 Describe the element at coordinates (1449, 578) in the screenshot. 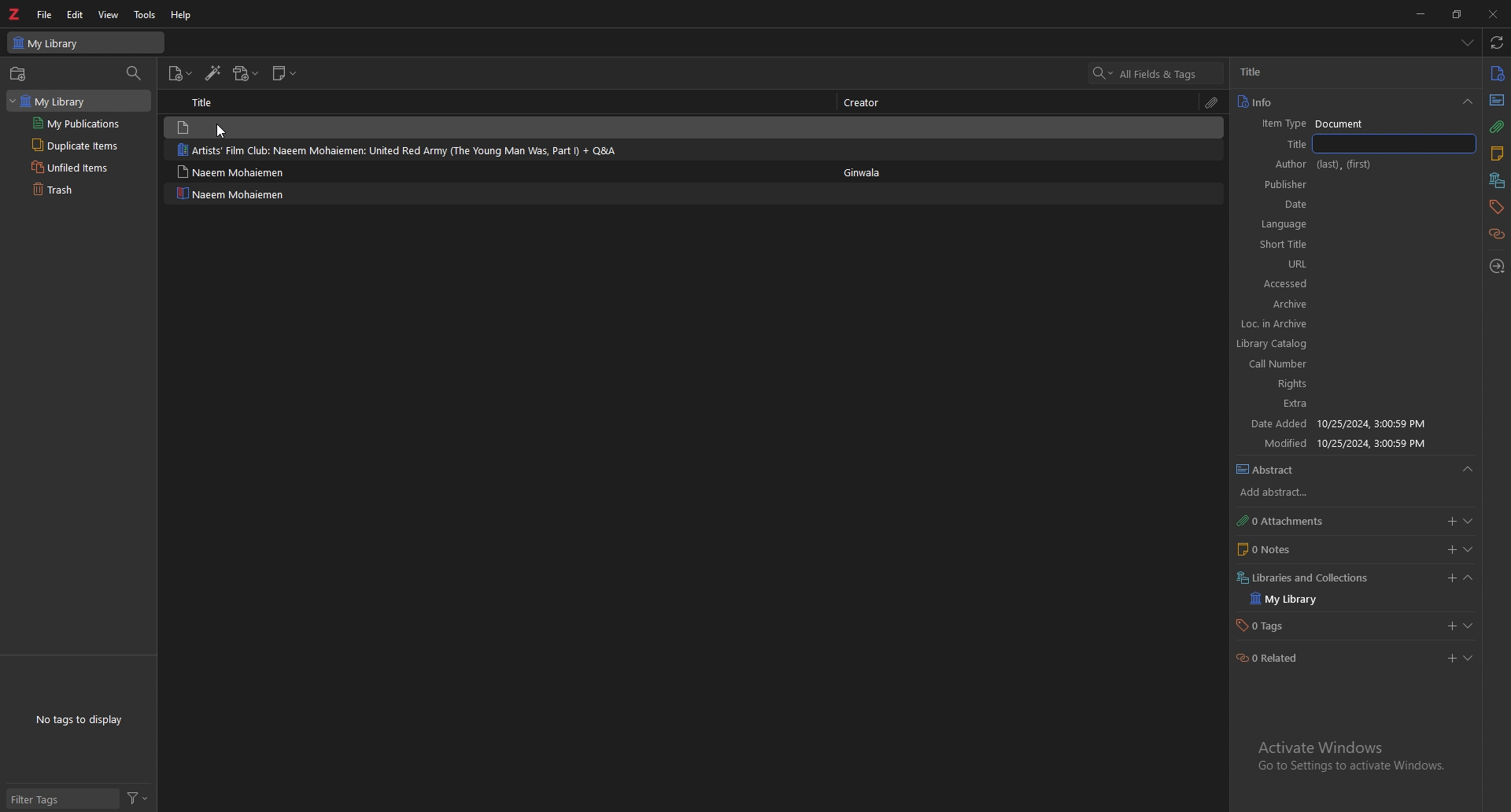

I see `date added input` at that location.